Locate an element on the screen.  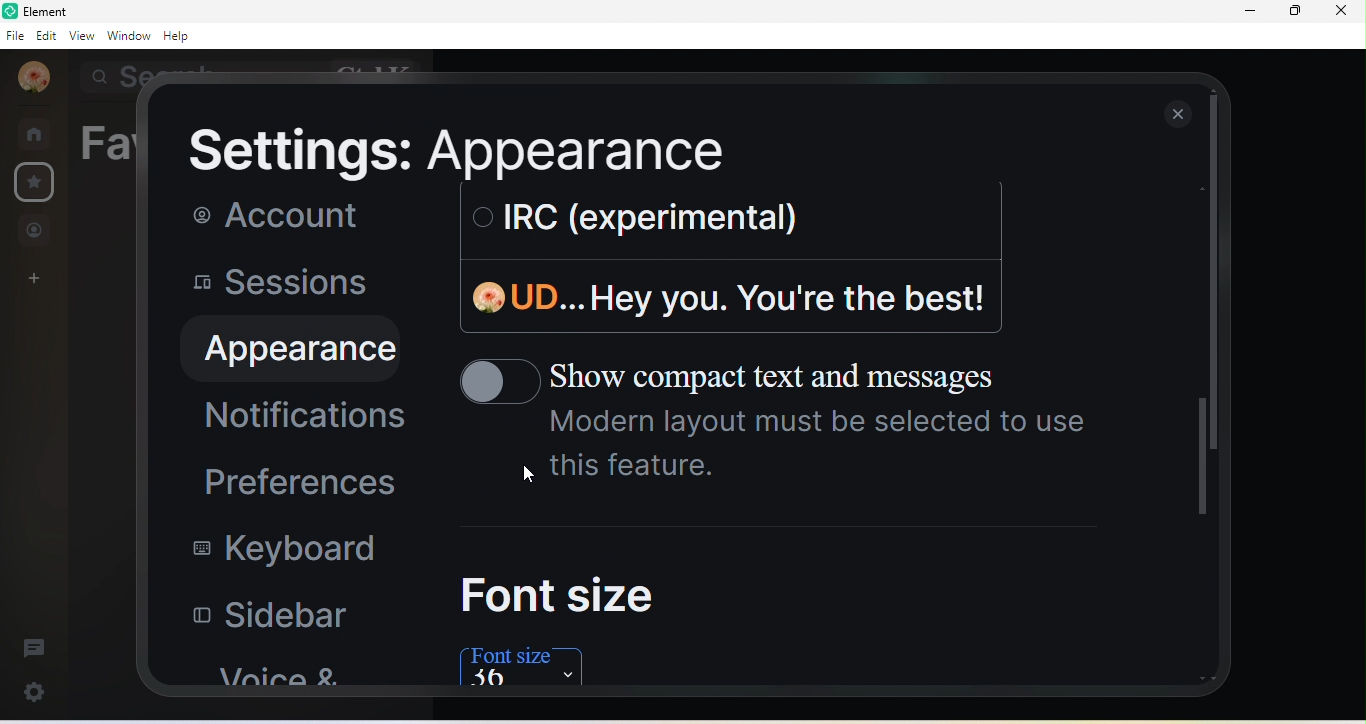
preferences is located at coordinates (290, 480).